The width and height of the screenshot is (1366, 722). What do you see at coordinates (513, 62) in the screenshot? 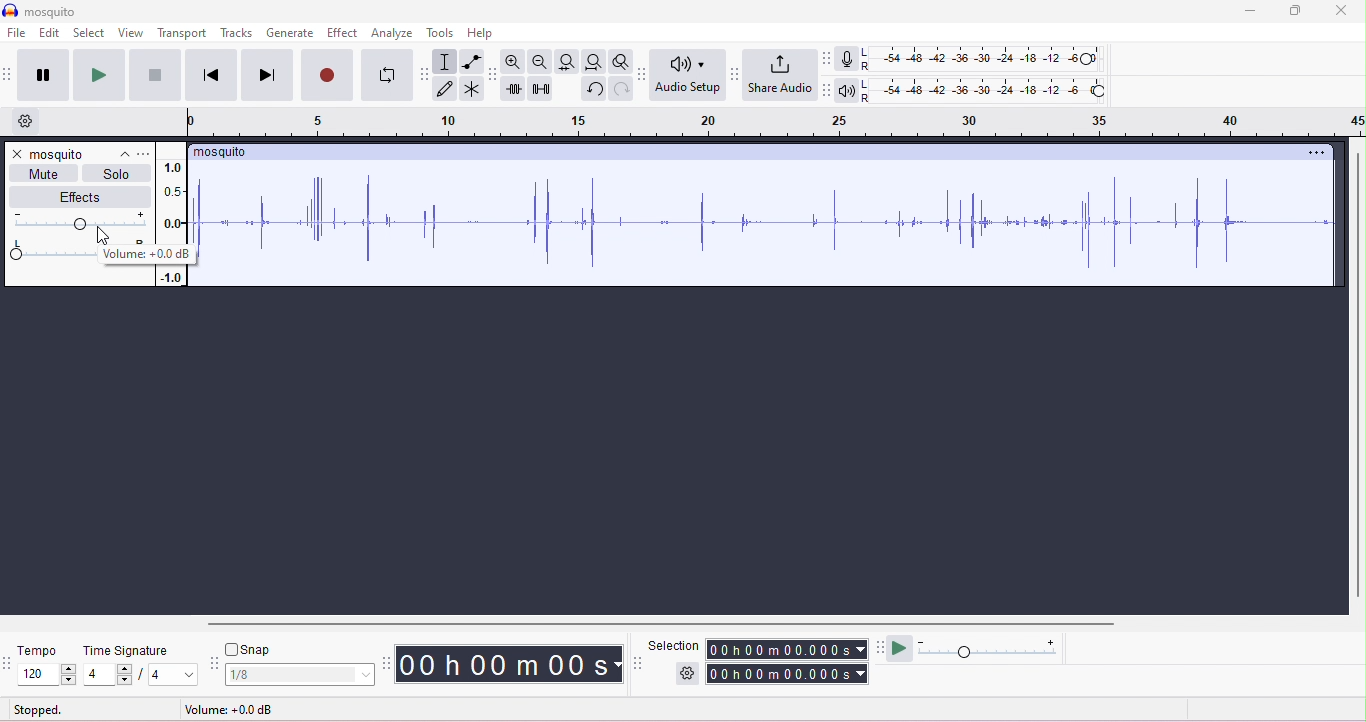
I see `zoom in` at bounding box center [513, 62].